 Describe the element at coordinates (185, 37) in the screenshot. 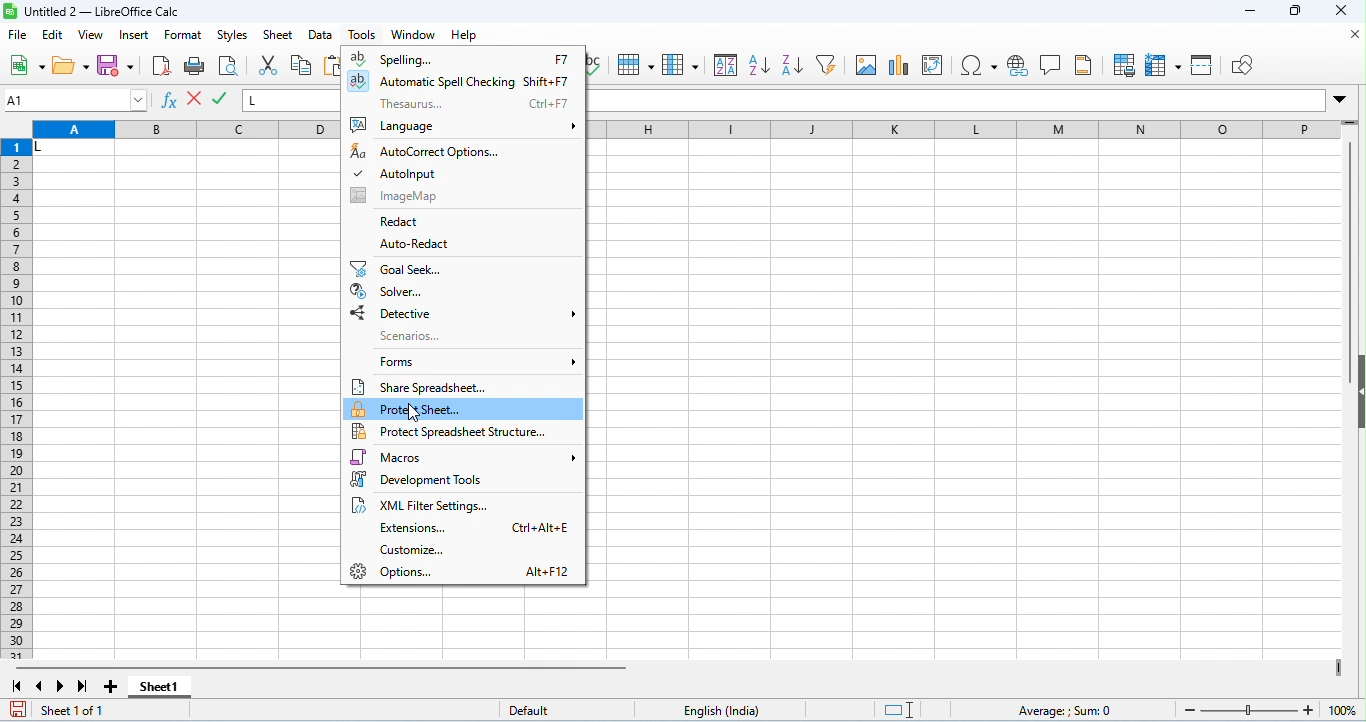

I see `format` at that location.